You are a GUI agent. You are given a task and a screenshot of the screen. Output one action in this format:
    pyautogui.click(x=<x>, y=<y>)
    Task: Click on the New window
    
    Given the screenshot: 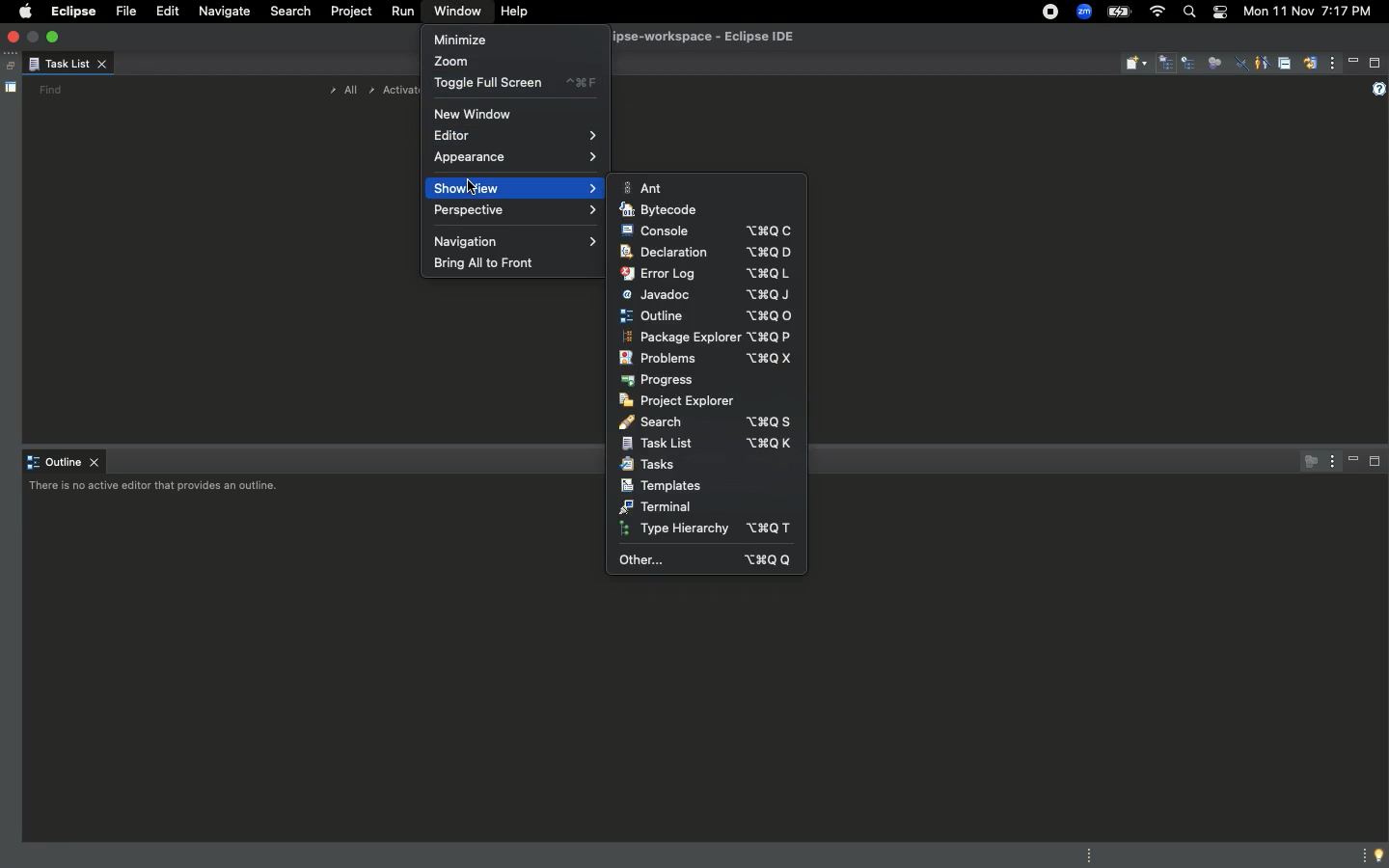 What is the action you would take?
    pyautogui.click(x=475, y=113)
    